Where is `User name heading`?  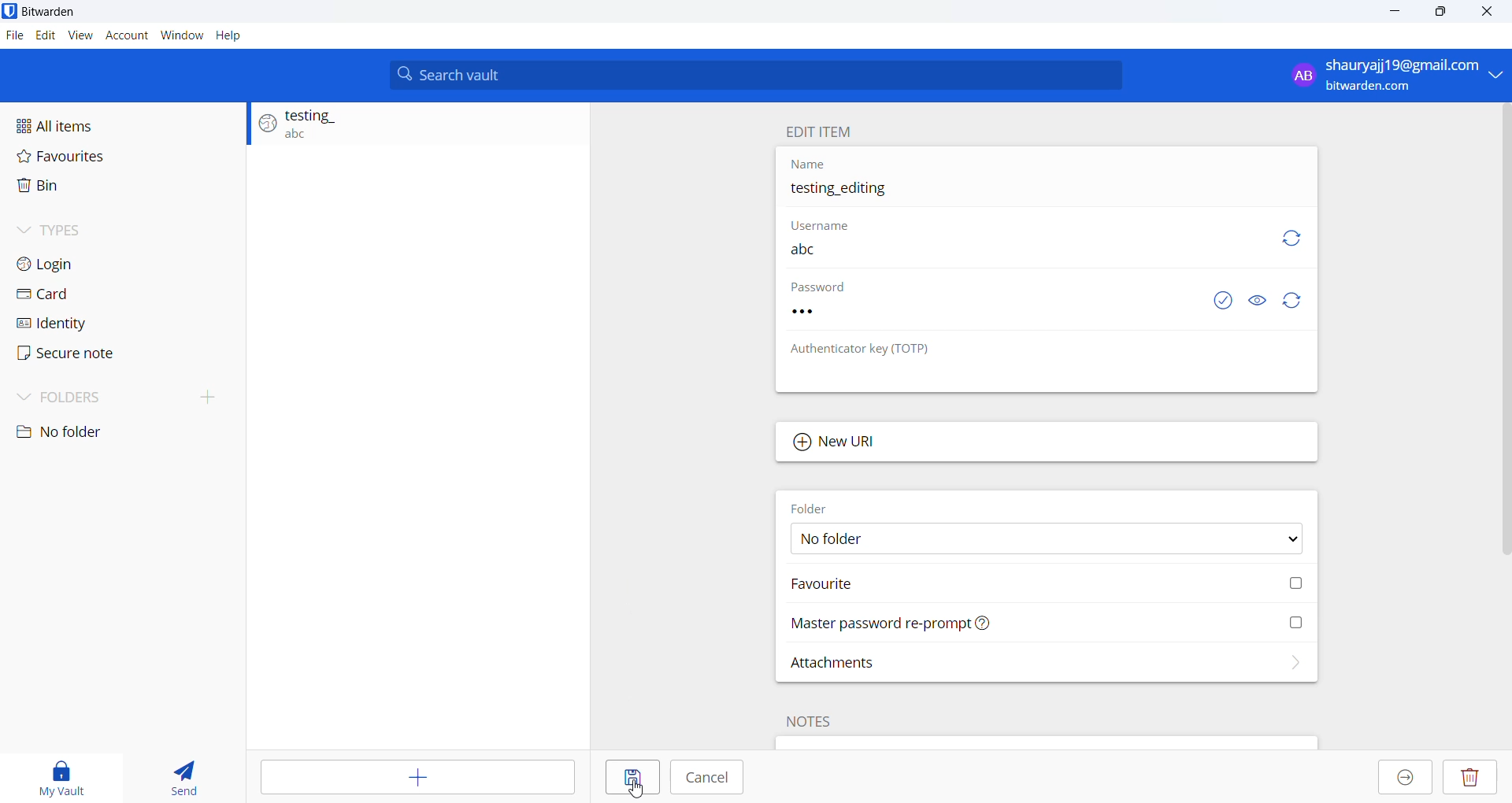 User name heading is located at coordinates (814, 227).